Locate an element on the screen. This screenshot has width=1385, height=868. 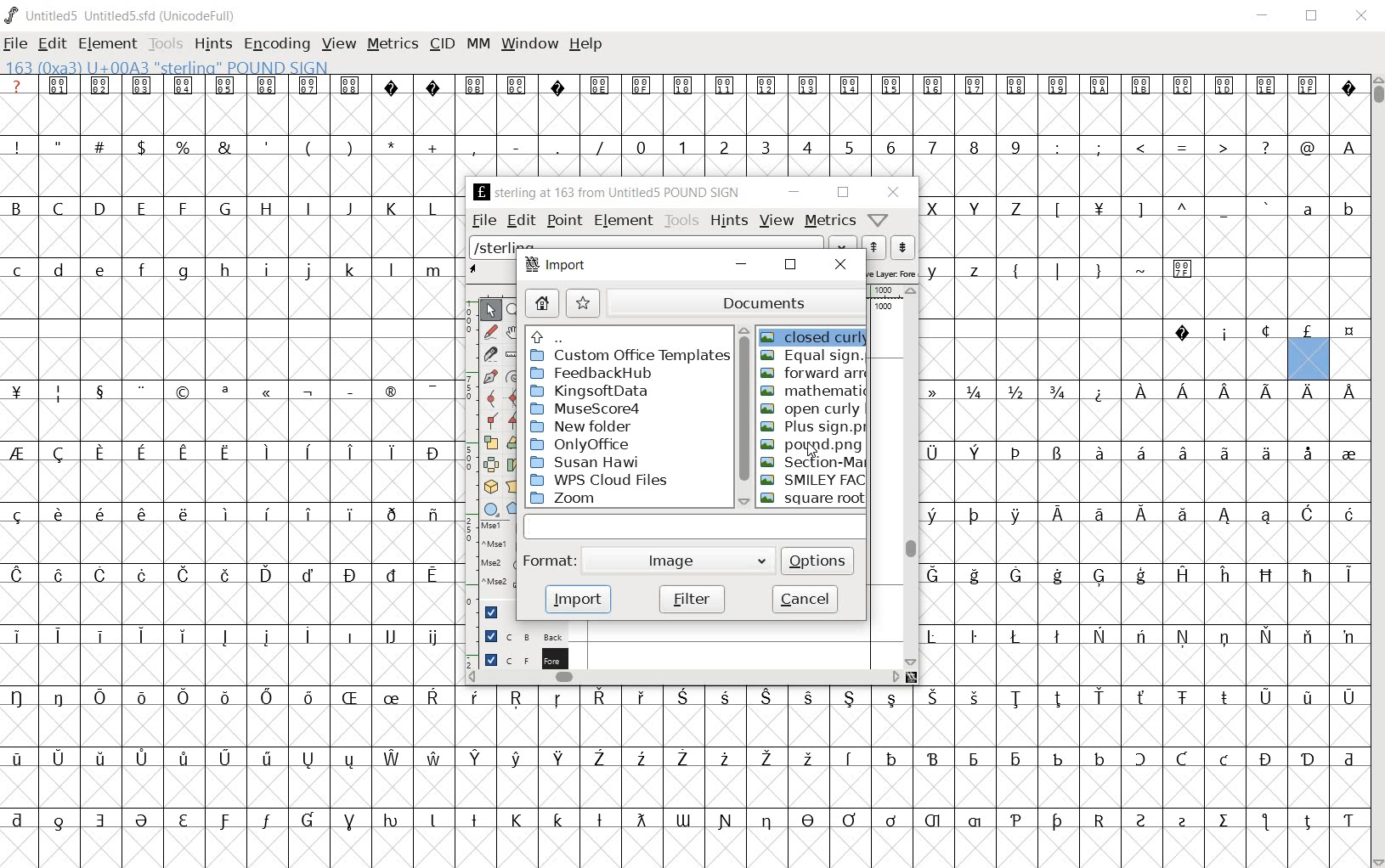
Symbol is located at coordinates (144, 822).